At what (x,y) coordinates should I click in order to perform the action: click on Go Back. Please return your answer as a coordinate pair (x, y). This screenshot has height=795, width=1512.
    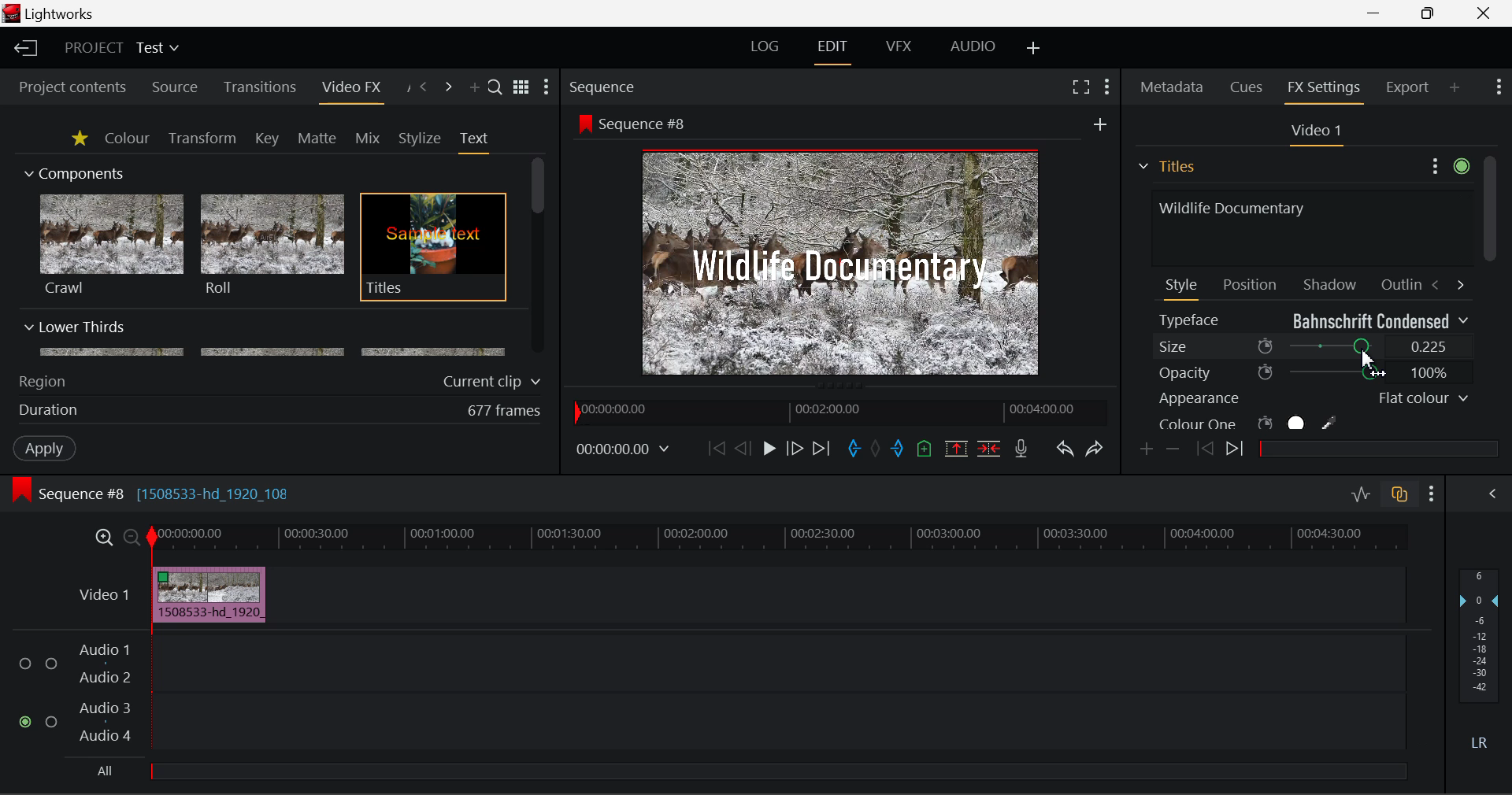
    Looking at the image, I should click on (743, 448).